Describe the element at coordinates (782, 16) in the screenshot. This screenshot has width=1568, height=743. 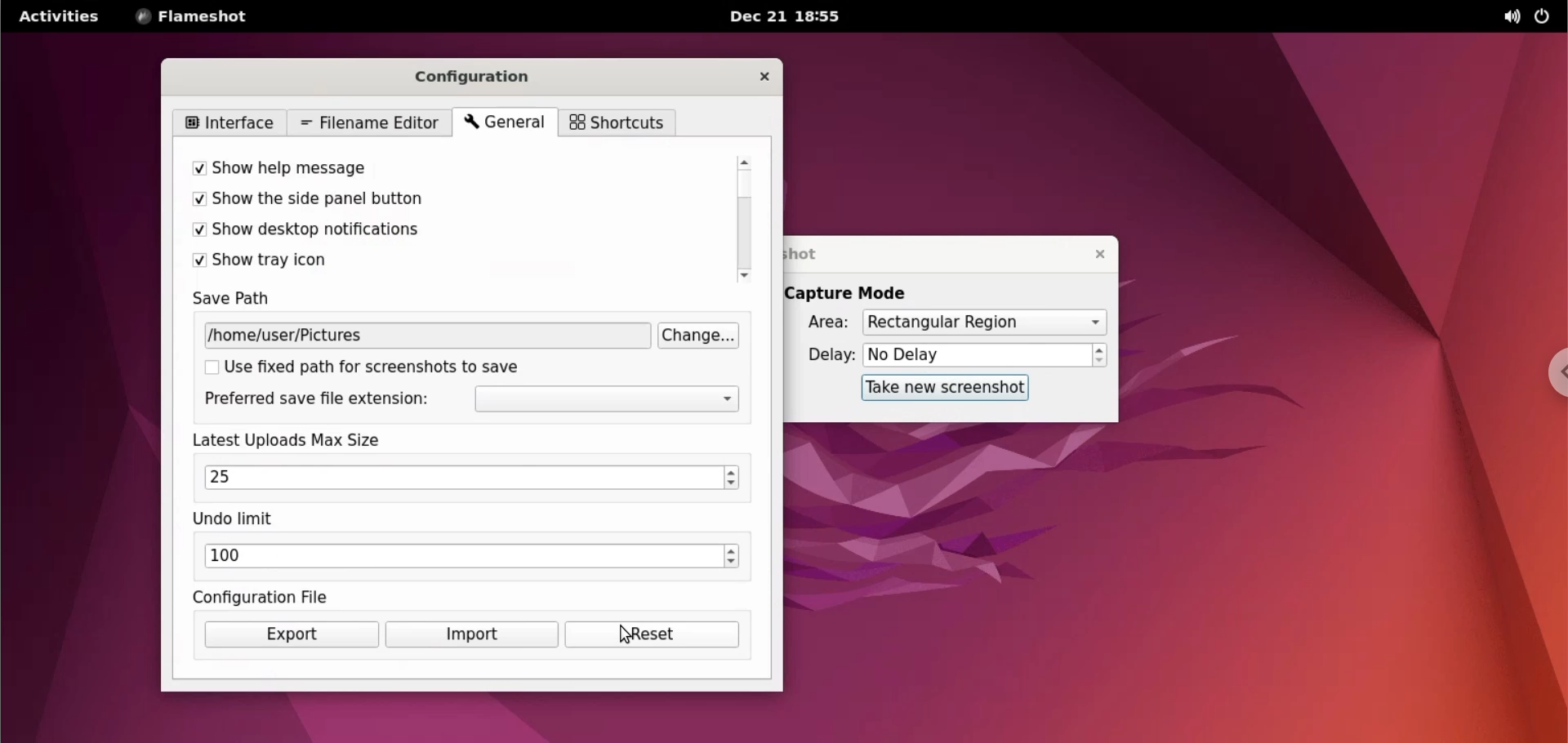
I see `Dec 21 18:55` at that location.